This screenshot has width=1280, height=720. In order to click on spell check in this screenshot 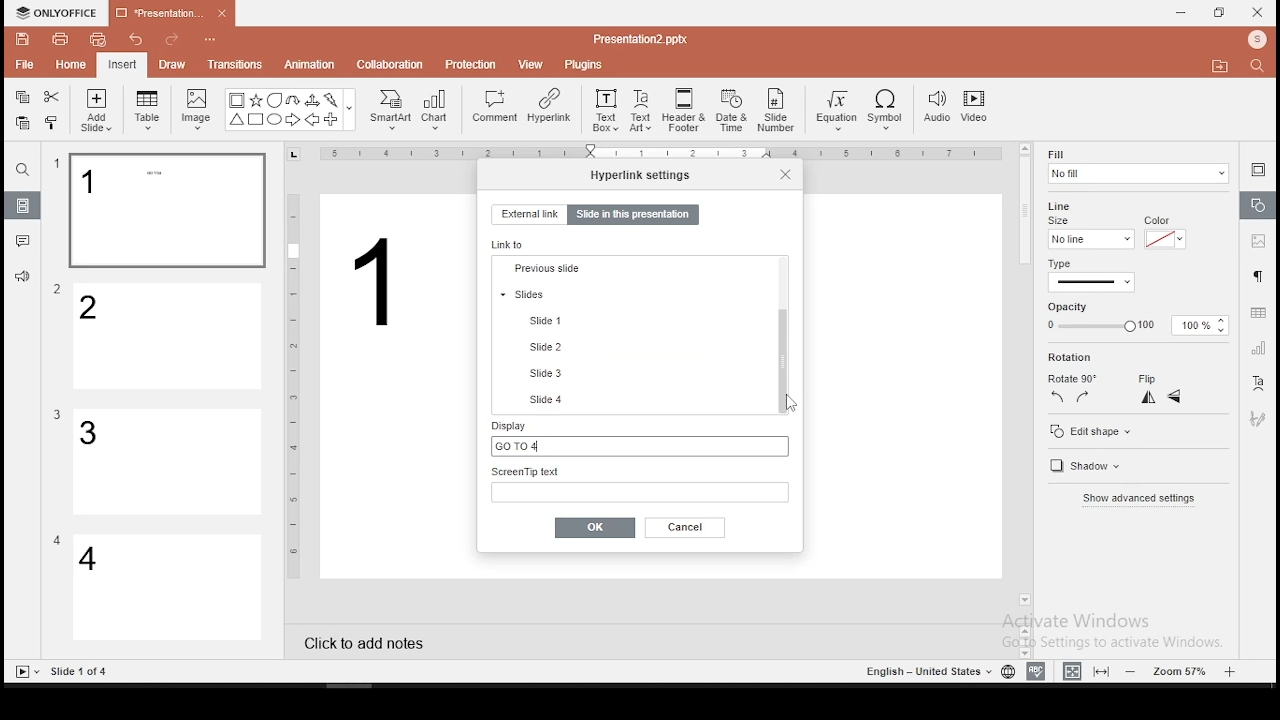, I will do `click(1036, 671)`.